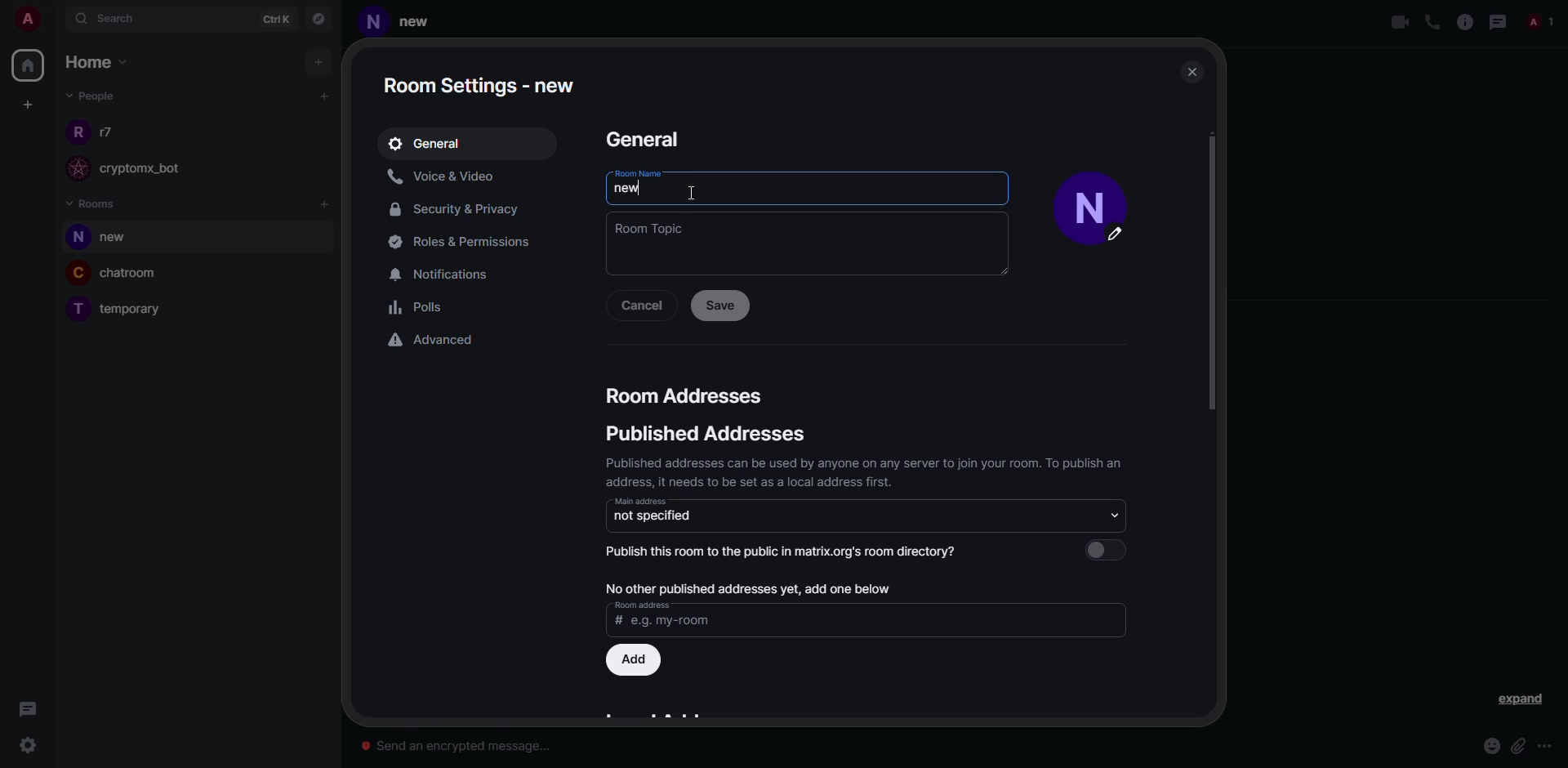  What do you see at coordinates (110, 132) in the screenshot?
I see `people` at bounding box center [110, 132].